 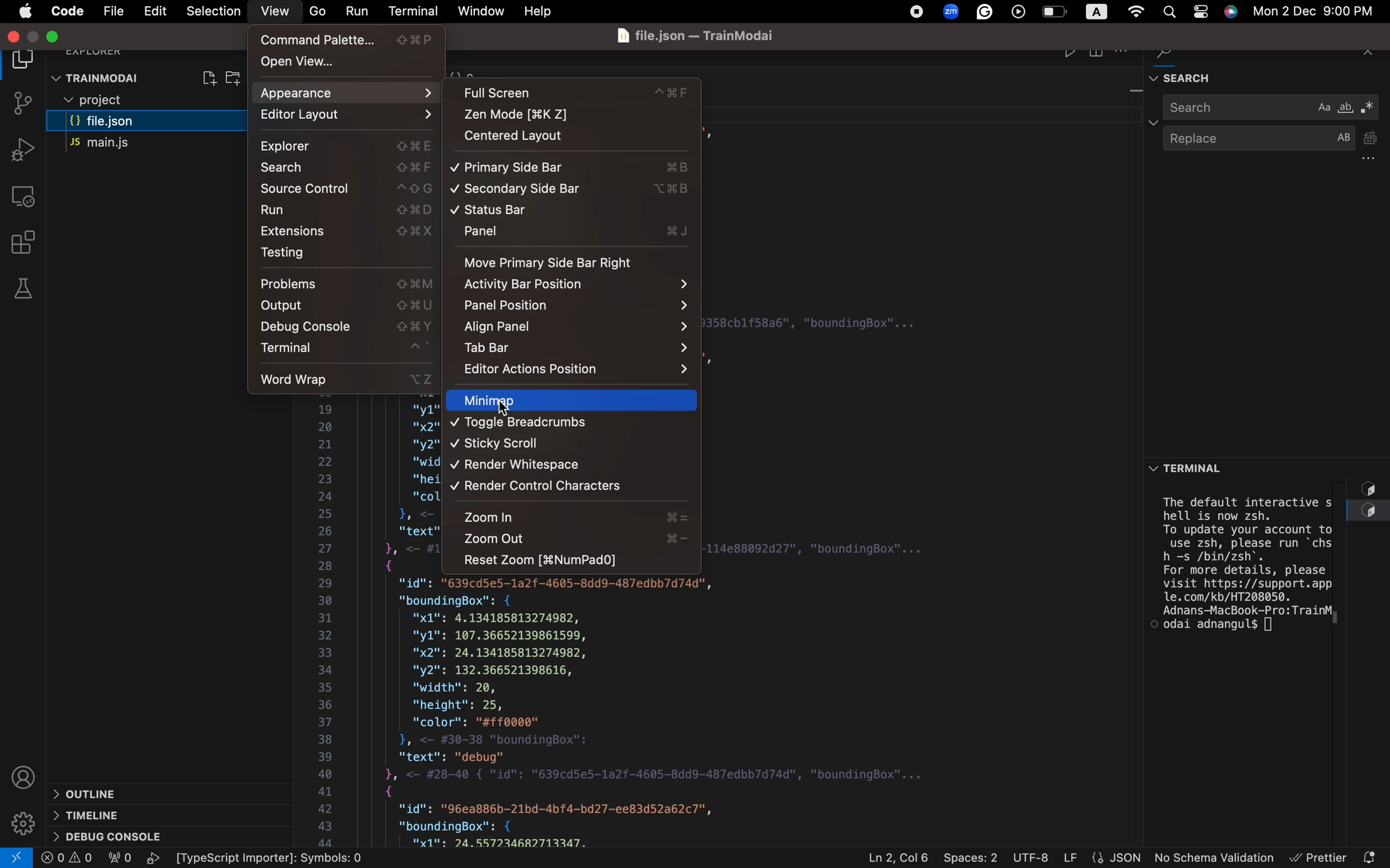 I want to click on file, so click(x=115, y=13).